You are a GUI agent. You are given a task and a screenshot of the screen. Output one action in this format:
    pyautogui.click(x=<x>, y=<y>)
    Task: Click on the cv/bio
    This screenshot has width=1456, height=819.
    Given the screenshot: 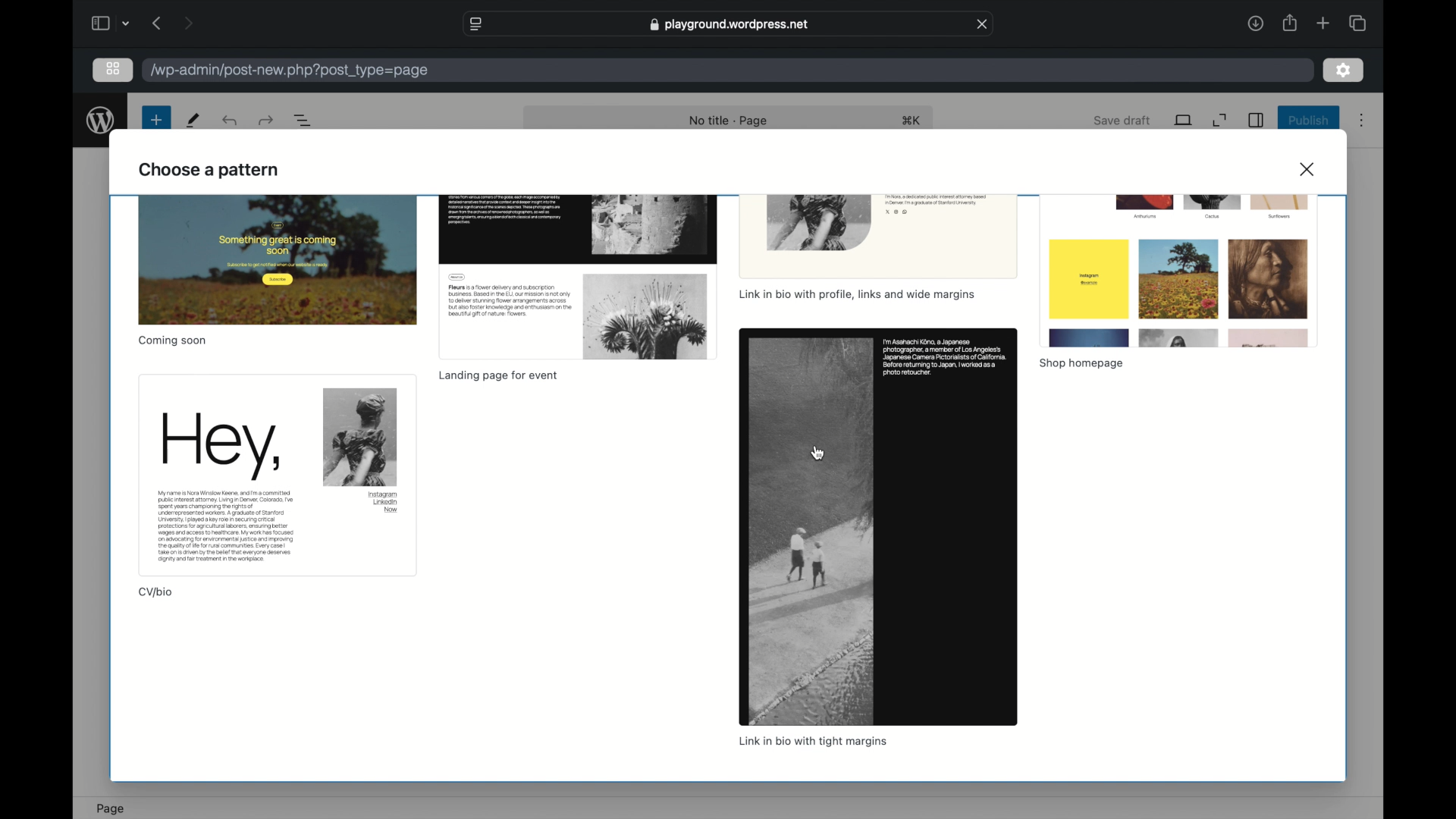 What is the action you would take?
    pyautogui.click(x=156, y=592)
    